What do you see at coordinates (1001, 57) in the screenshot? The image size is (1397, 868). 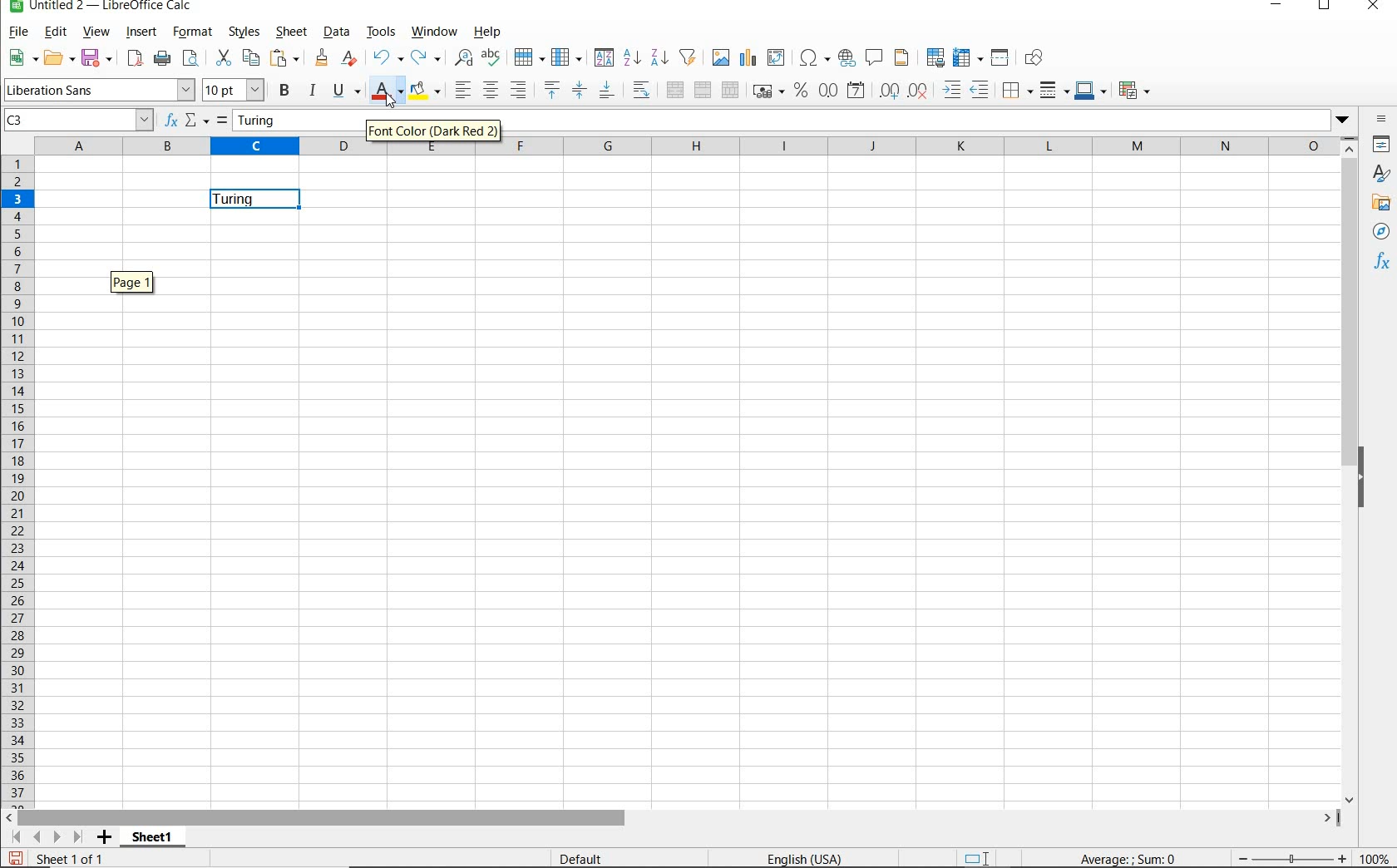 I see `SPLIT WINDOW` at bounding box center [1001, 57].